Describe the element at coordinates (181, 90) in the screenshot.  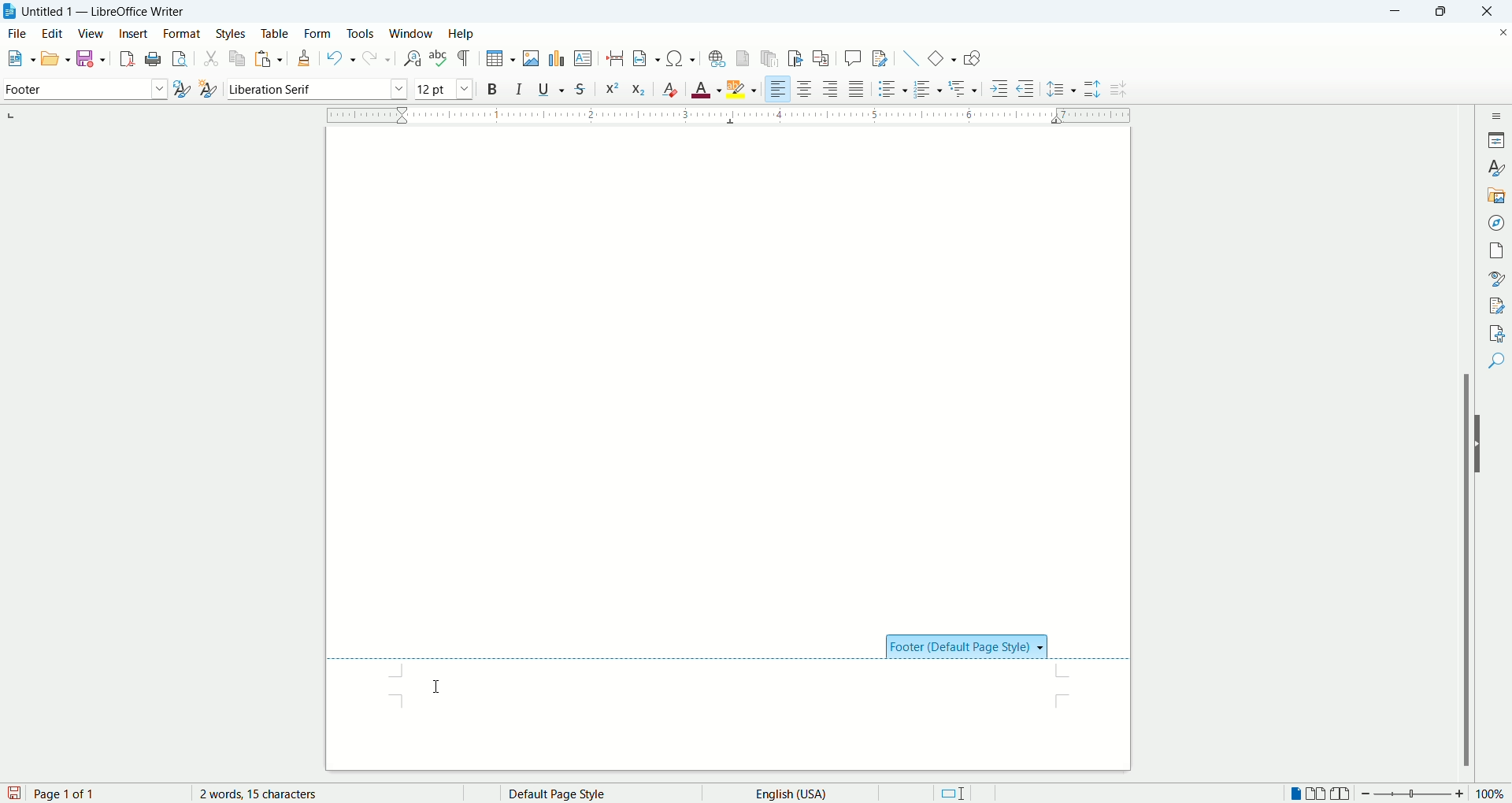
I see `update style` at that location.